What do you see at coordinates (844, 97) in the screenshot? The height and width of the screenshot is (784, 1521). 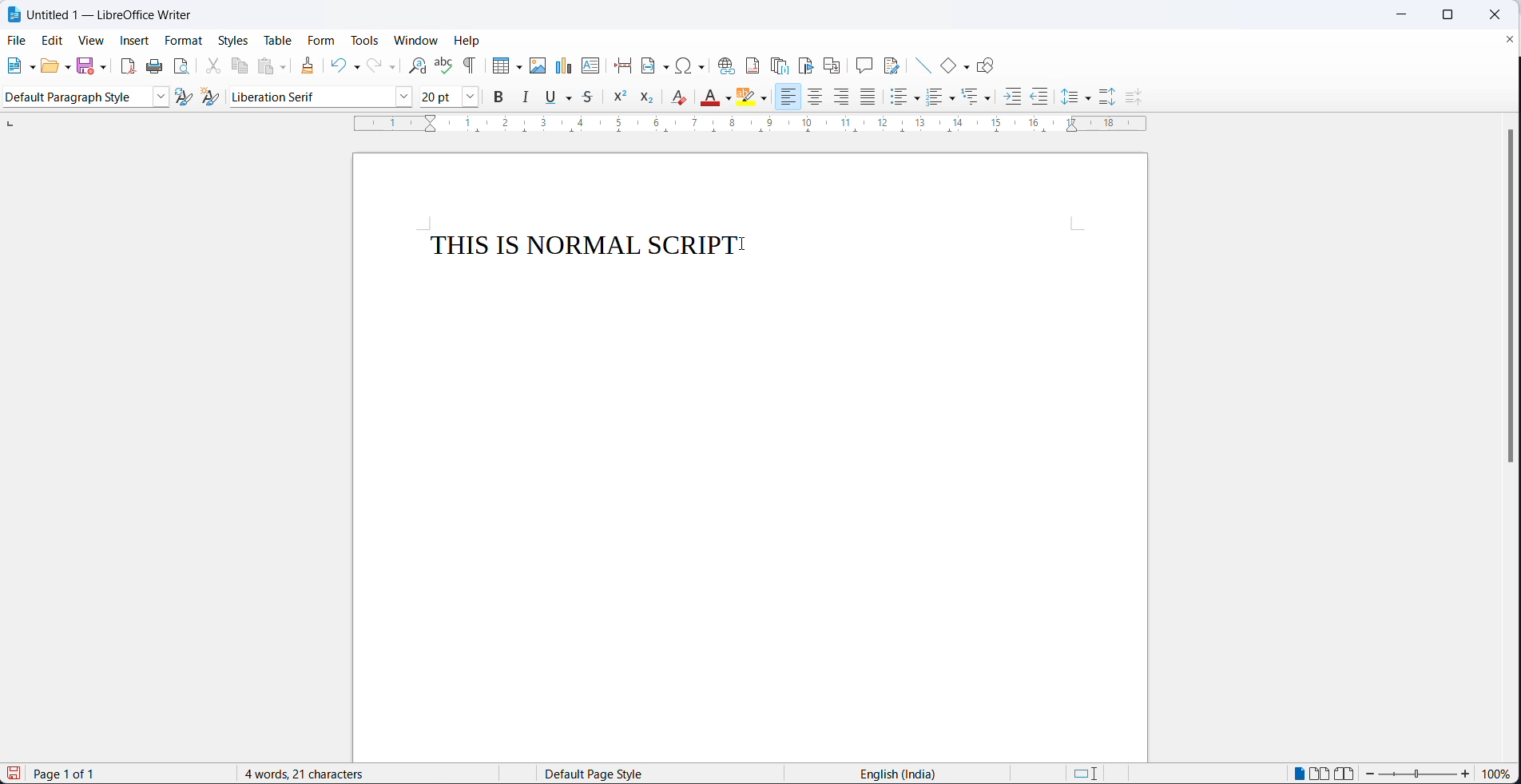 I see `text align right` at bounding box center [844, 97].